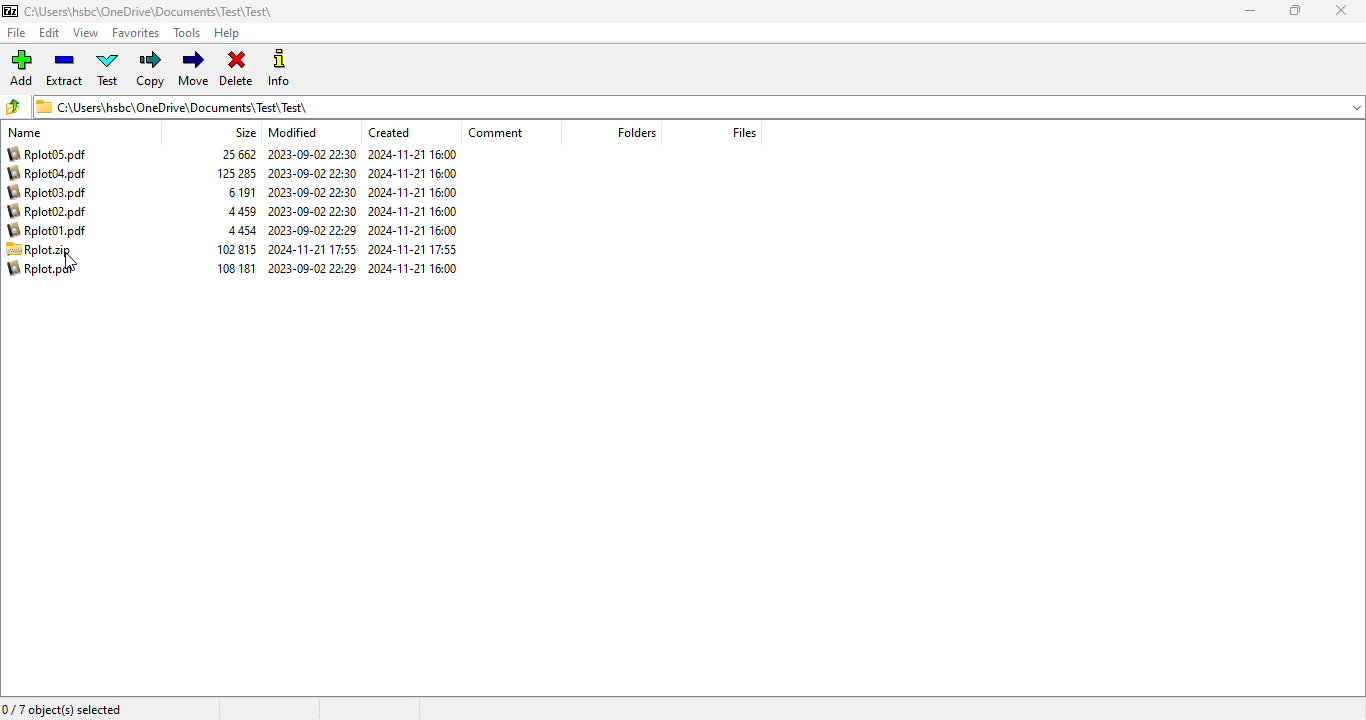 The image size is (1366, 720). What do you see at coordinates (1295, 10) in the screenshot?
I see `maximize` at bounding box center [1295, 10].